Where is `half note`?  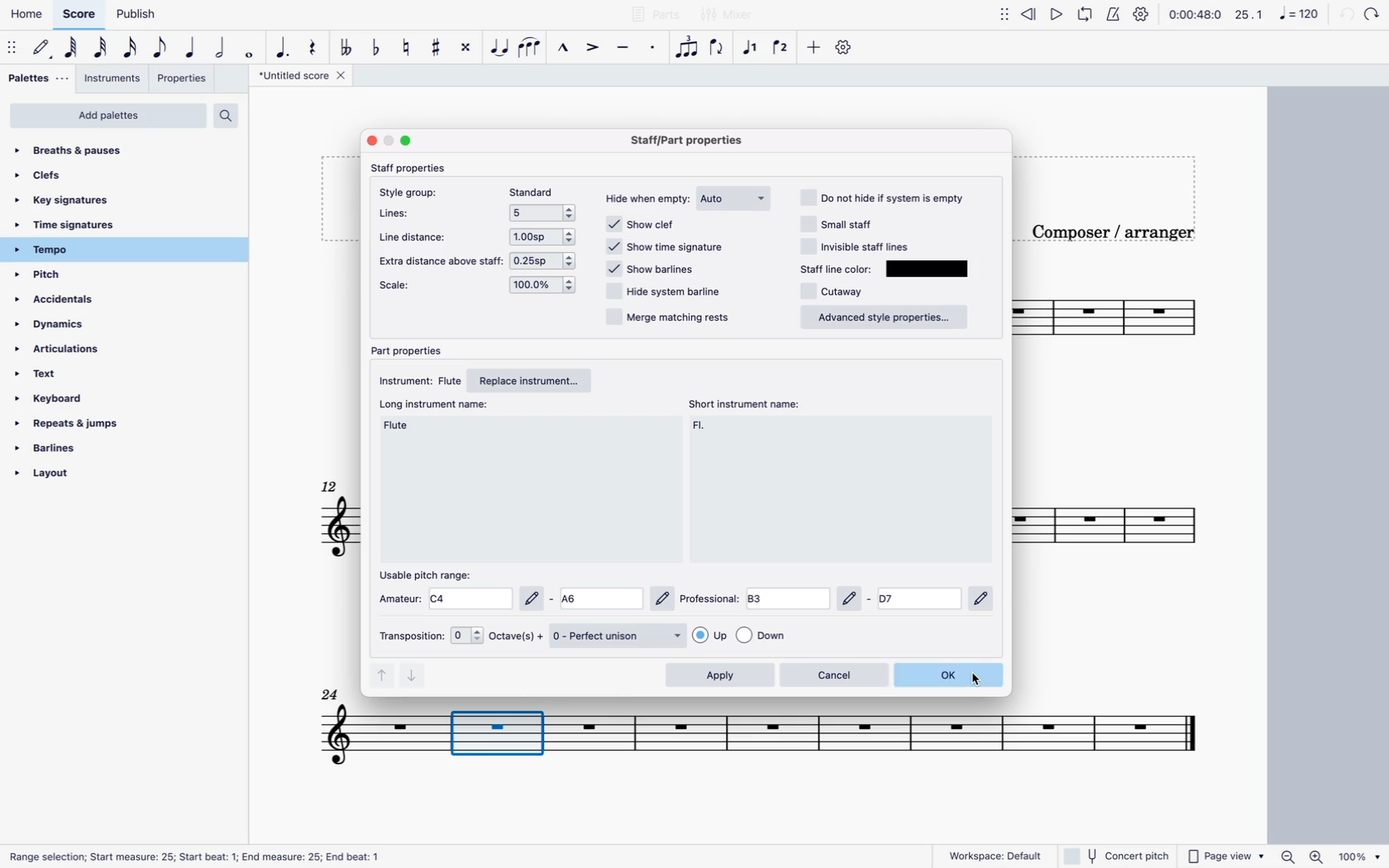 half note is located at coordinates (220, 48).